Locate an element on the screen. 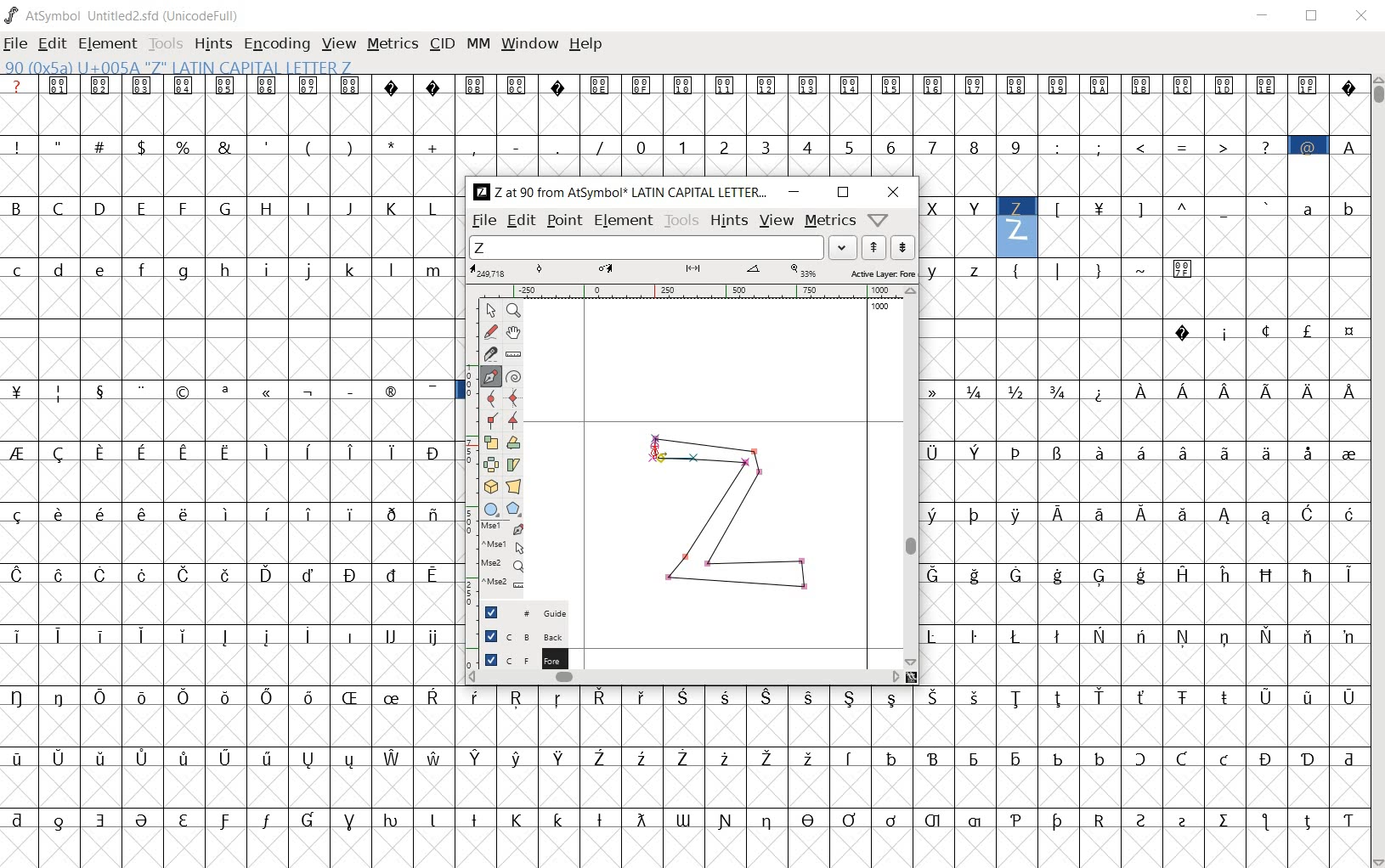  rectangle or ellipse is located at coordinates (491, 509).